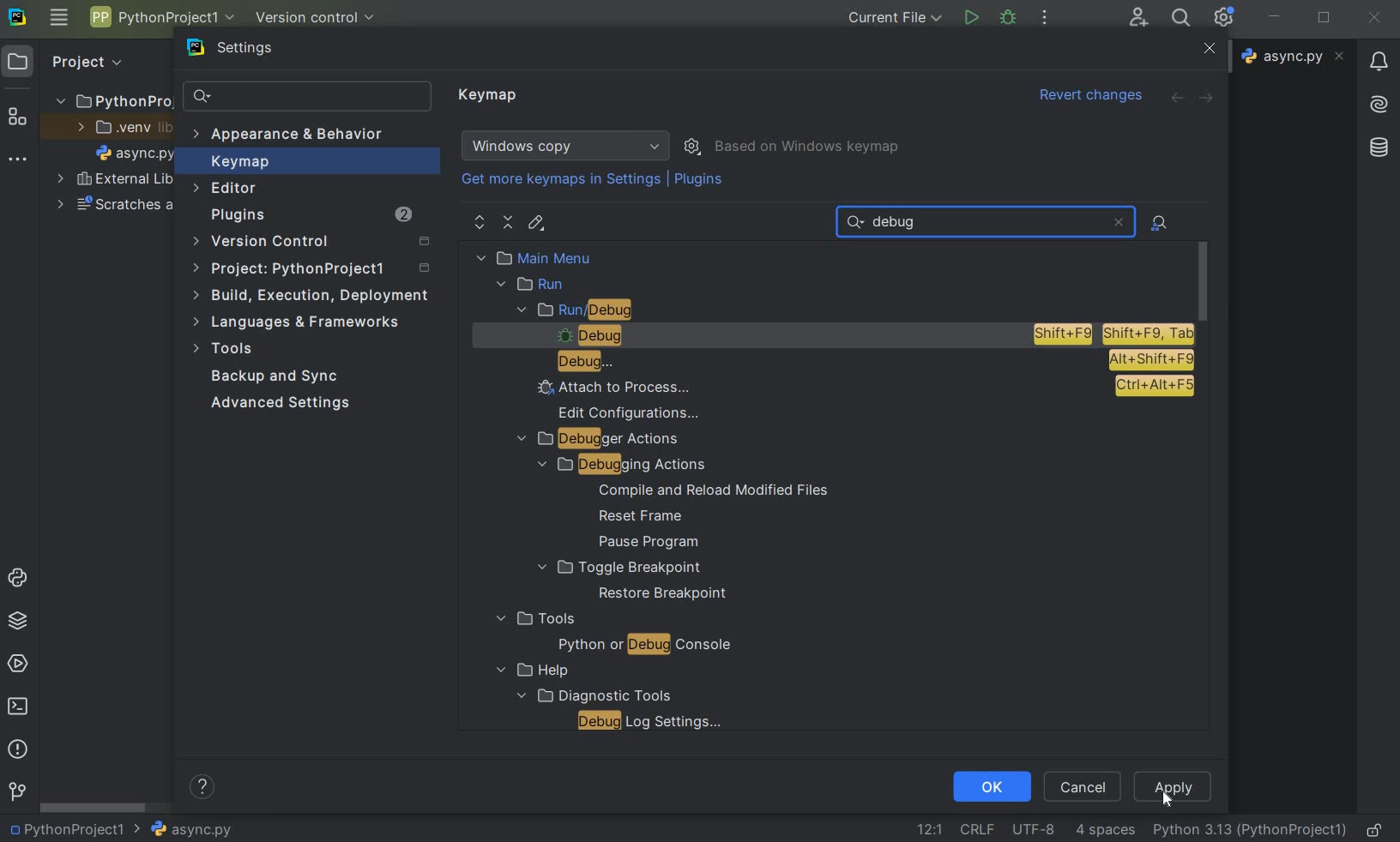 This screenshot has height=842, width=1400. Describe the element at coordinates (94, 808) in the screenshot. I see `scrollbar` at that location.